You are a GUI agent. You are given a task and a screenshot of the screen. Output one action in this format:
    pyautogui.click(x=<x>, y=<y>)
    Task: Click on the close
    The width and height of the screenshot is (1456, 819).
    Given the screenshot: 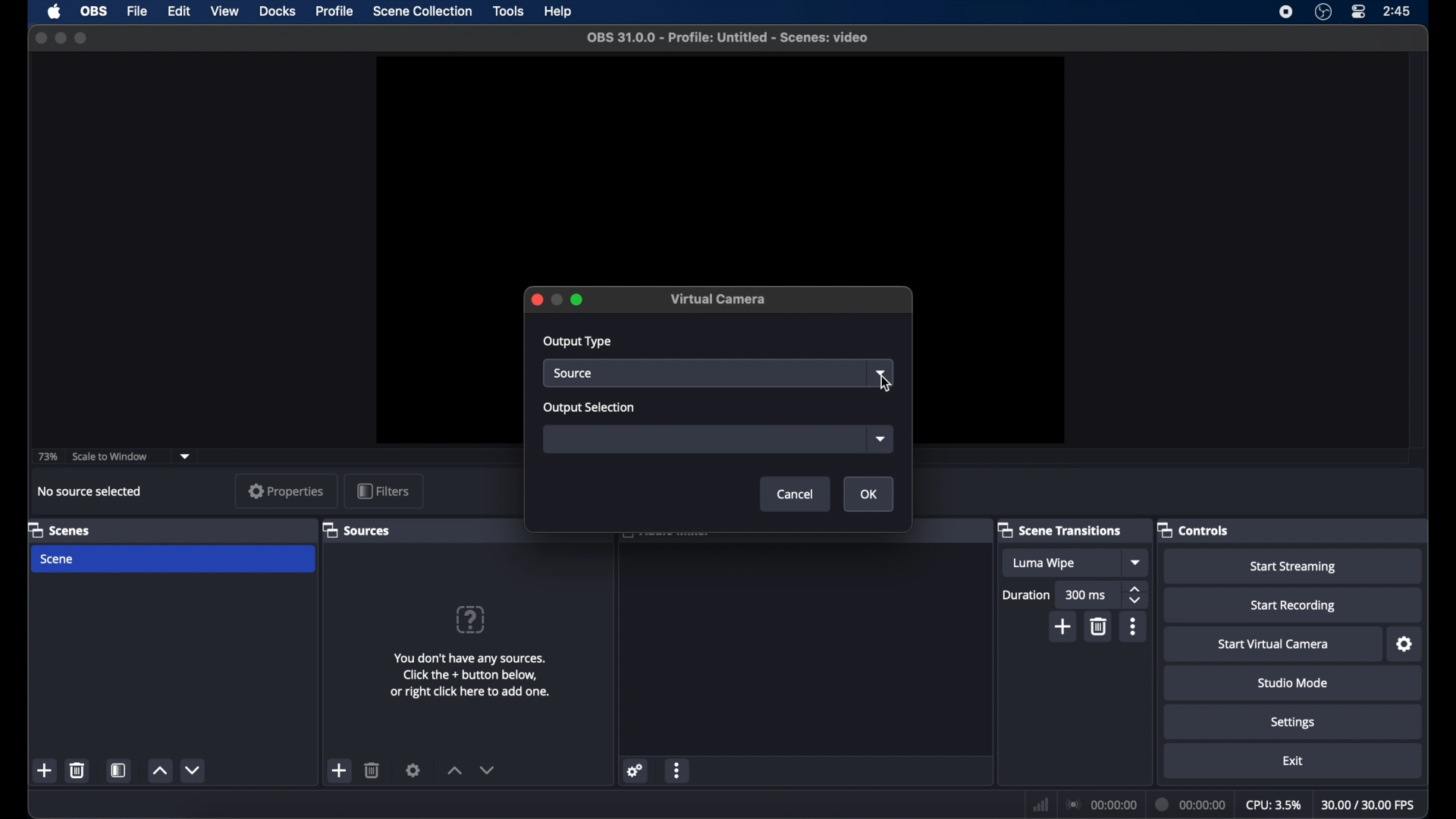 What is the action you would take?
    pyautogui.click(x=40, y=38)
    